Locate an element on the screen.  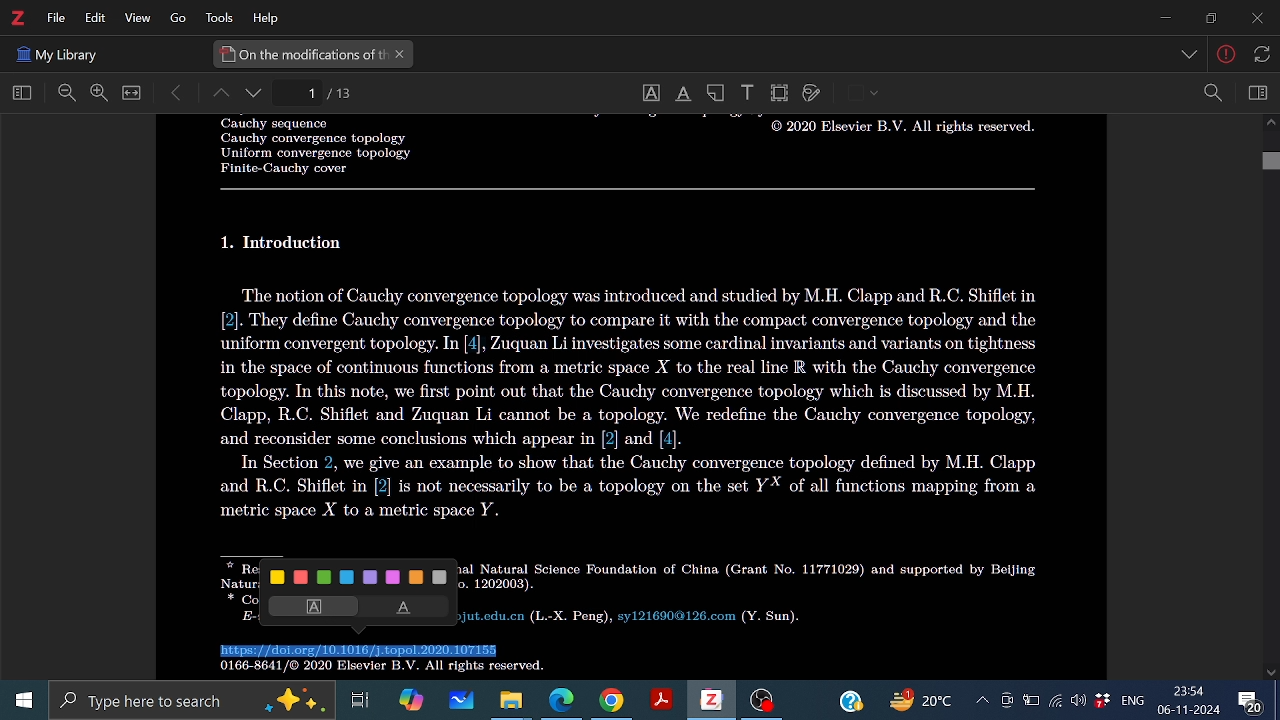
Underline is located at coordinates (407, 608).